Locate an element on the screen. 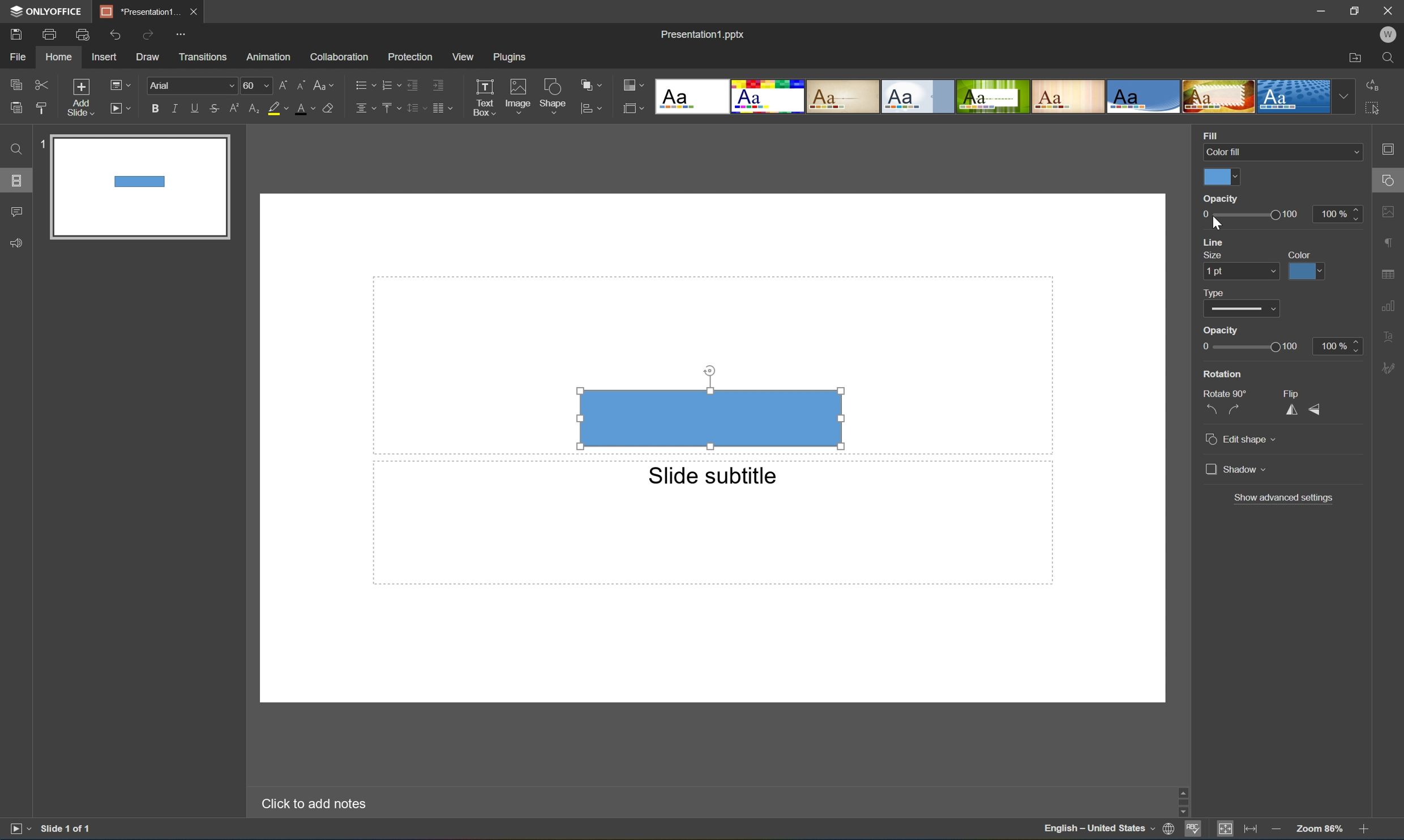 The height and width of the screenshot is (840, 1404). slide subtitle is located at coordinates (711, 477).